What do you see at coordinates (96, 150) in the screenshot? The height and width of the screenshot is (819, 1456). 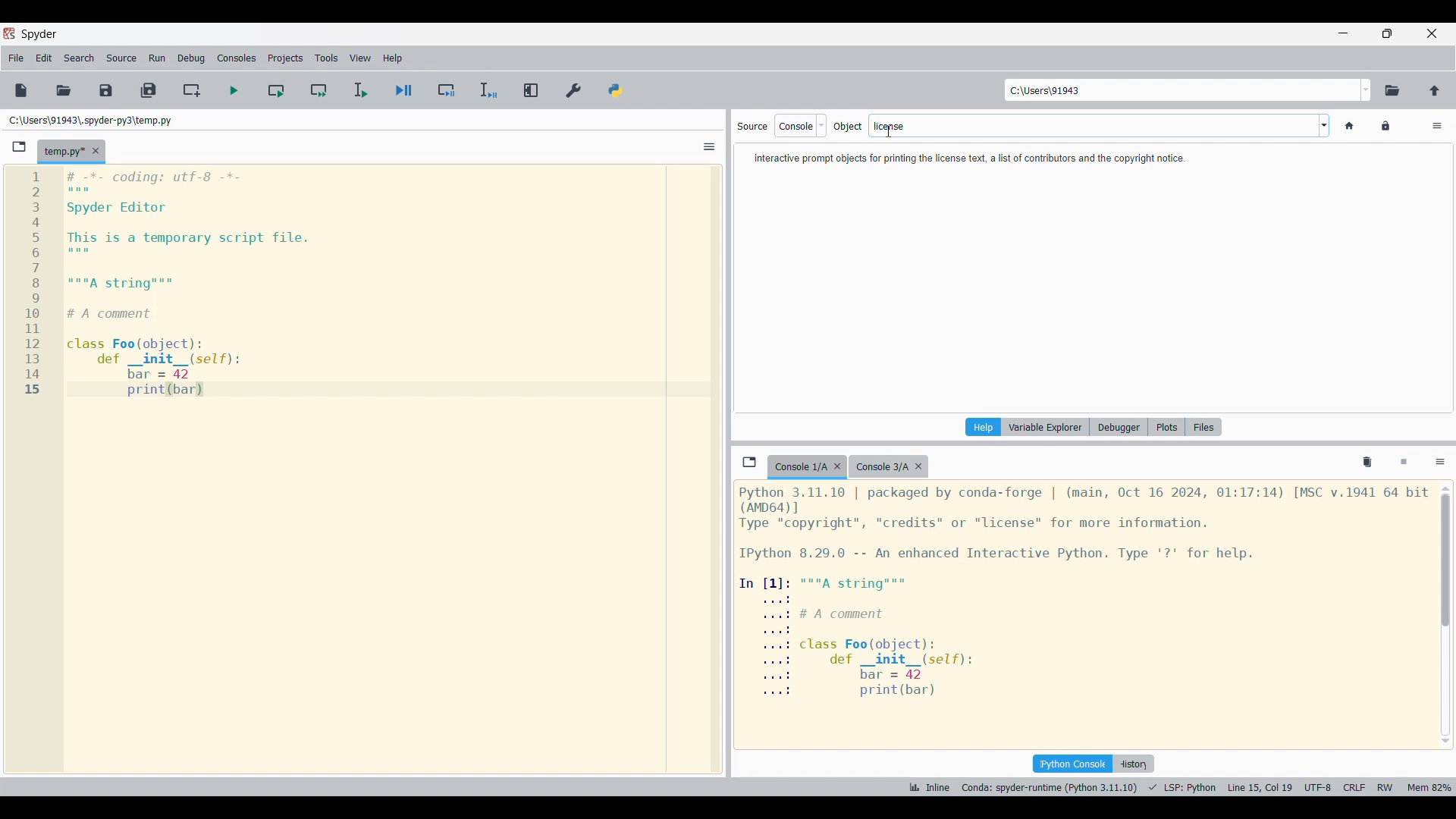 I see `Close` at bounding box center [96, 150].